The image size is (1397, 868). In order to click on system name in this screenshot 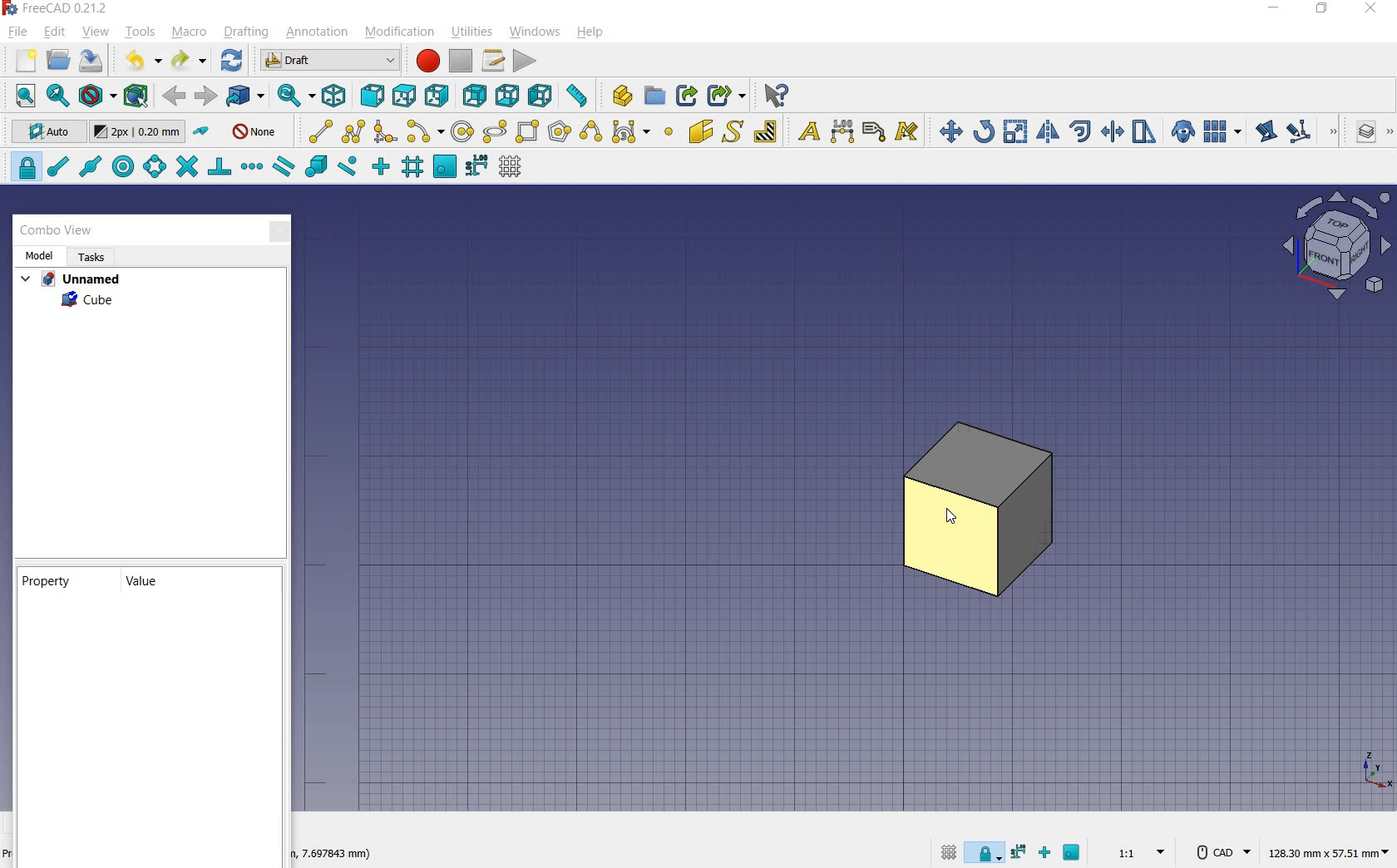, I will do `click(57, 8)`.